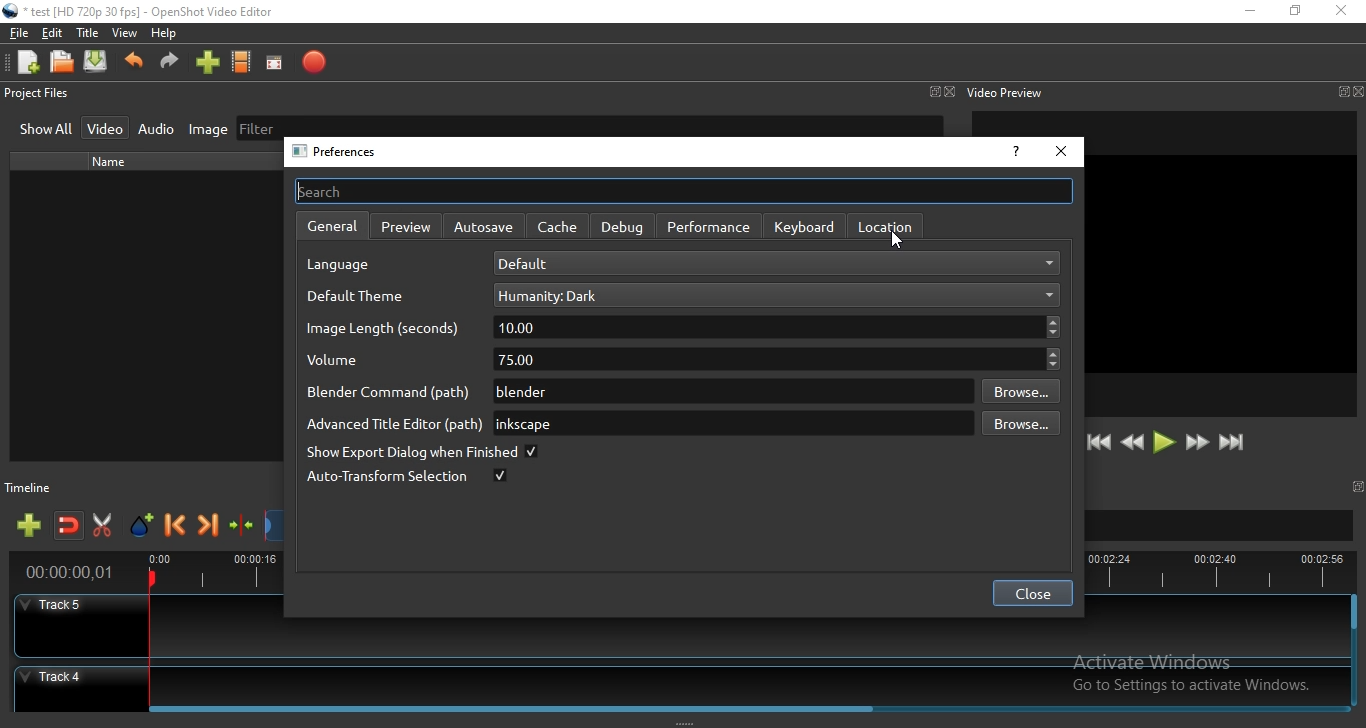  I want to click on 75.00, so click(772, 358).